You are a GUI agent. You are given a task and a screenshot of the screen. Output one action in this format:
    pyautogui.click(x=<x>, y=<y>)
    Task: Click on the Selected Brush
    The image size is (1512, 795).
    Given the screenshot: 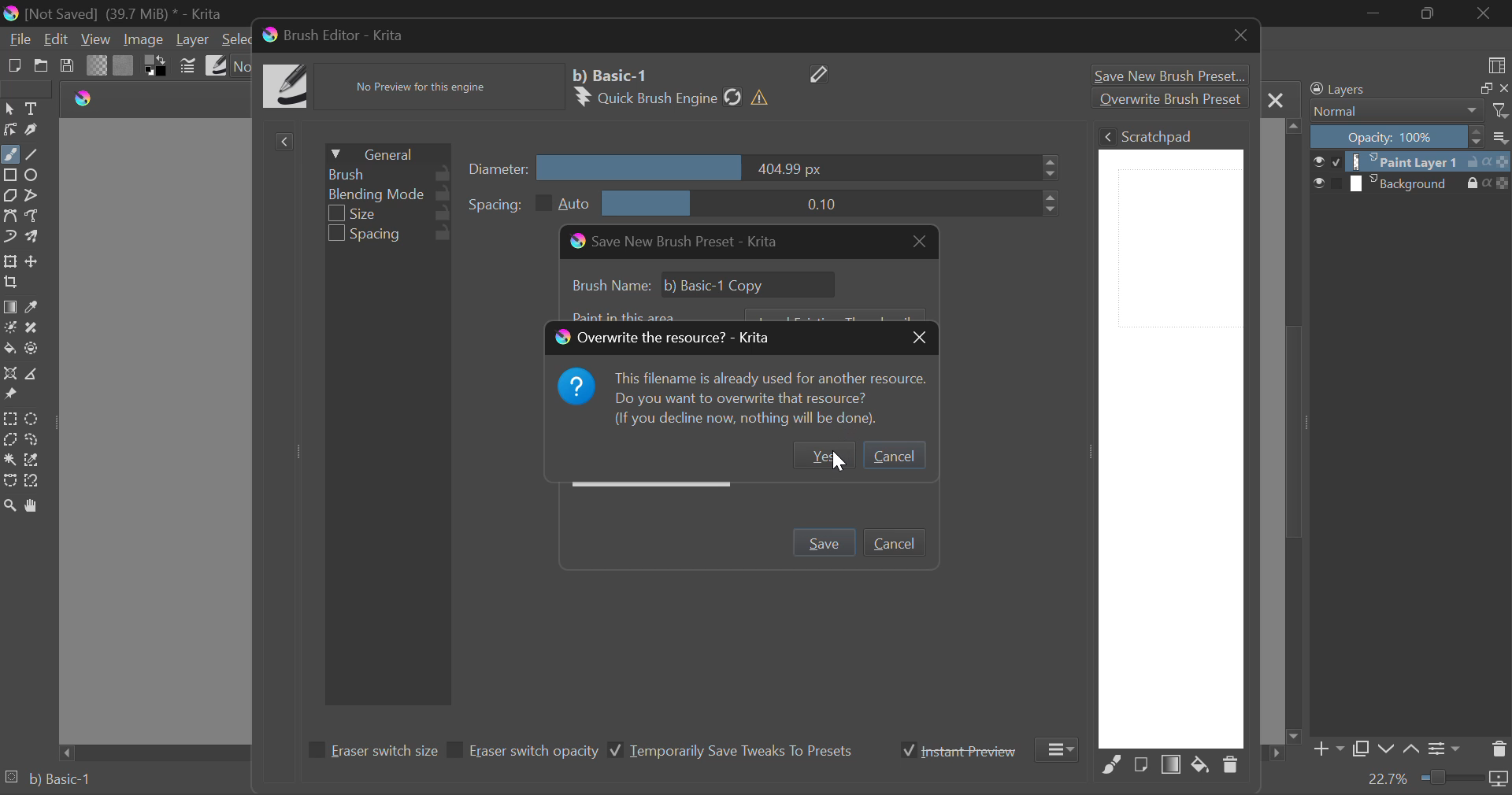 What is the action you would take?
    pyautogui.click(x=613, y=76)
    